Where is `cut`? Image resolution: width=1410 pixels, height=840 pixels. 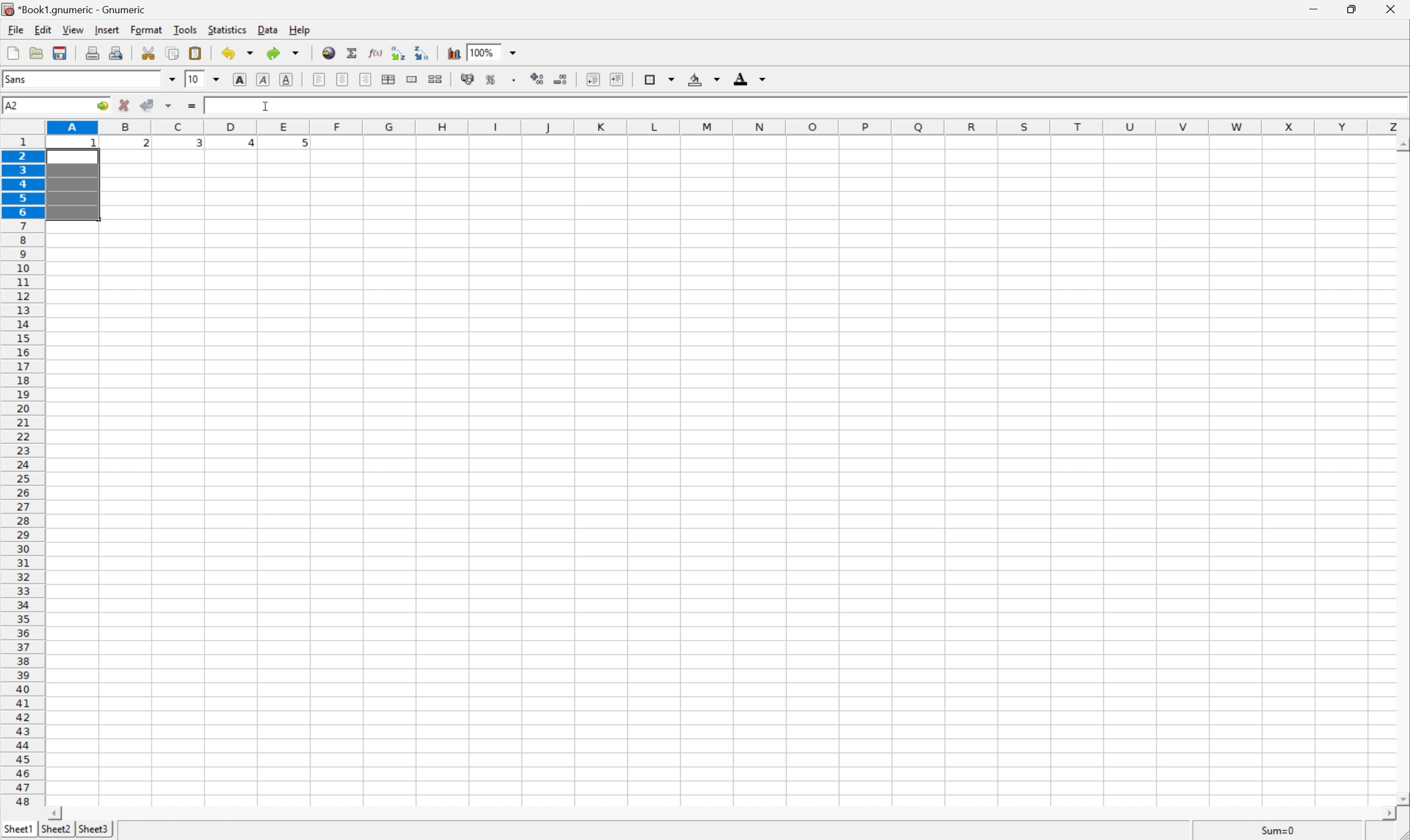 cut is located at coordinates (147, 52).